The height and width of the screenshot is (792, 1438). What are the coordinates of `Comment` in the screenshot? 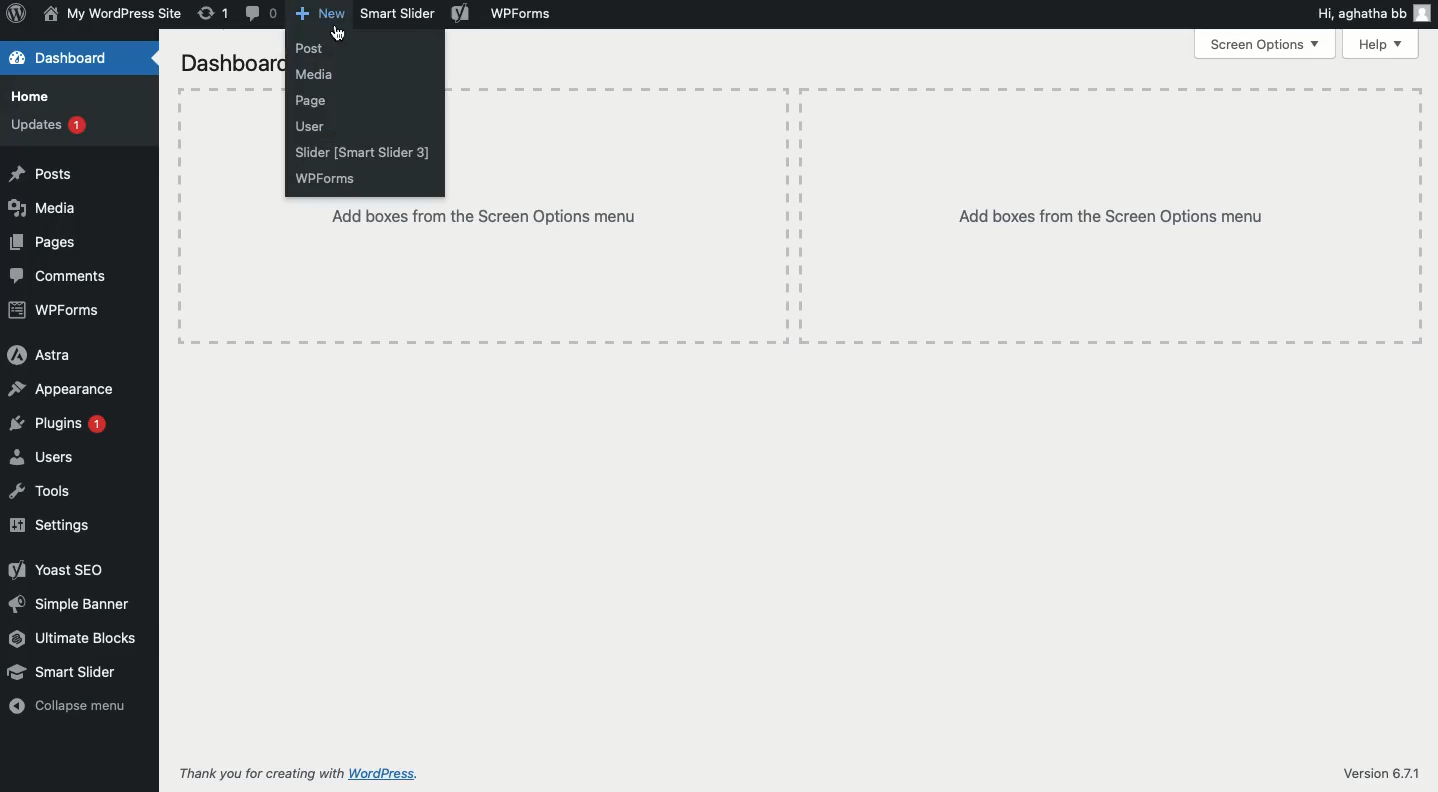 It's located at (261, 15).